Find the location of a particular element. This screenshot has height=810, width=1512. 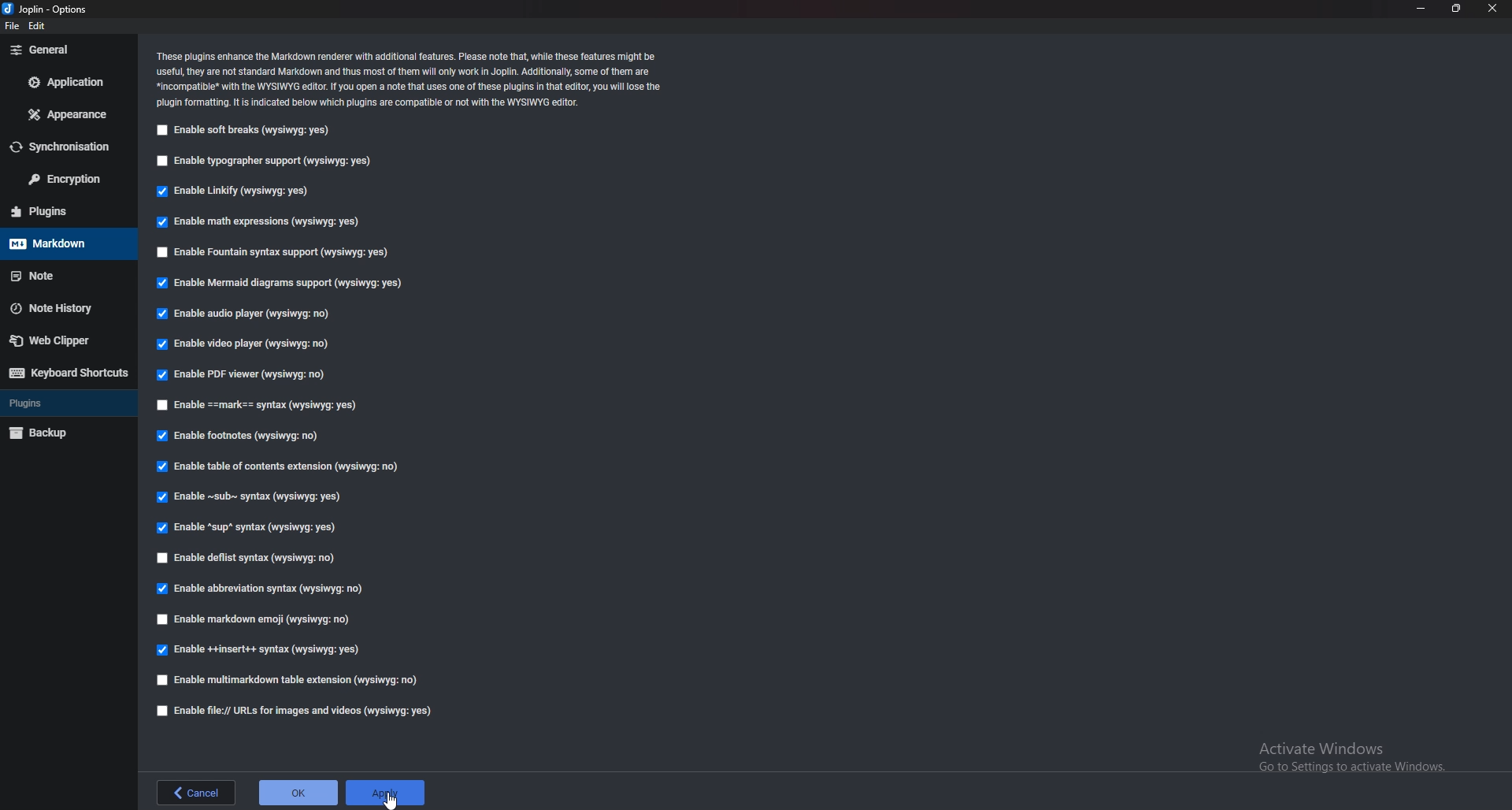

enable deflist syntax is located at coordinates (250, 559).